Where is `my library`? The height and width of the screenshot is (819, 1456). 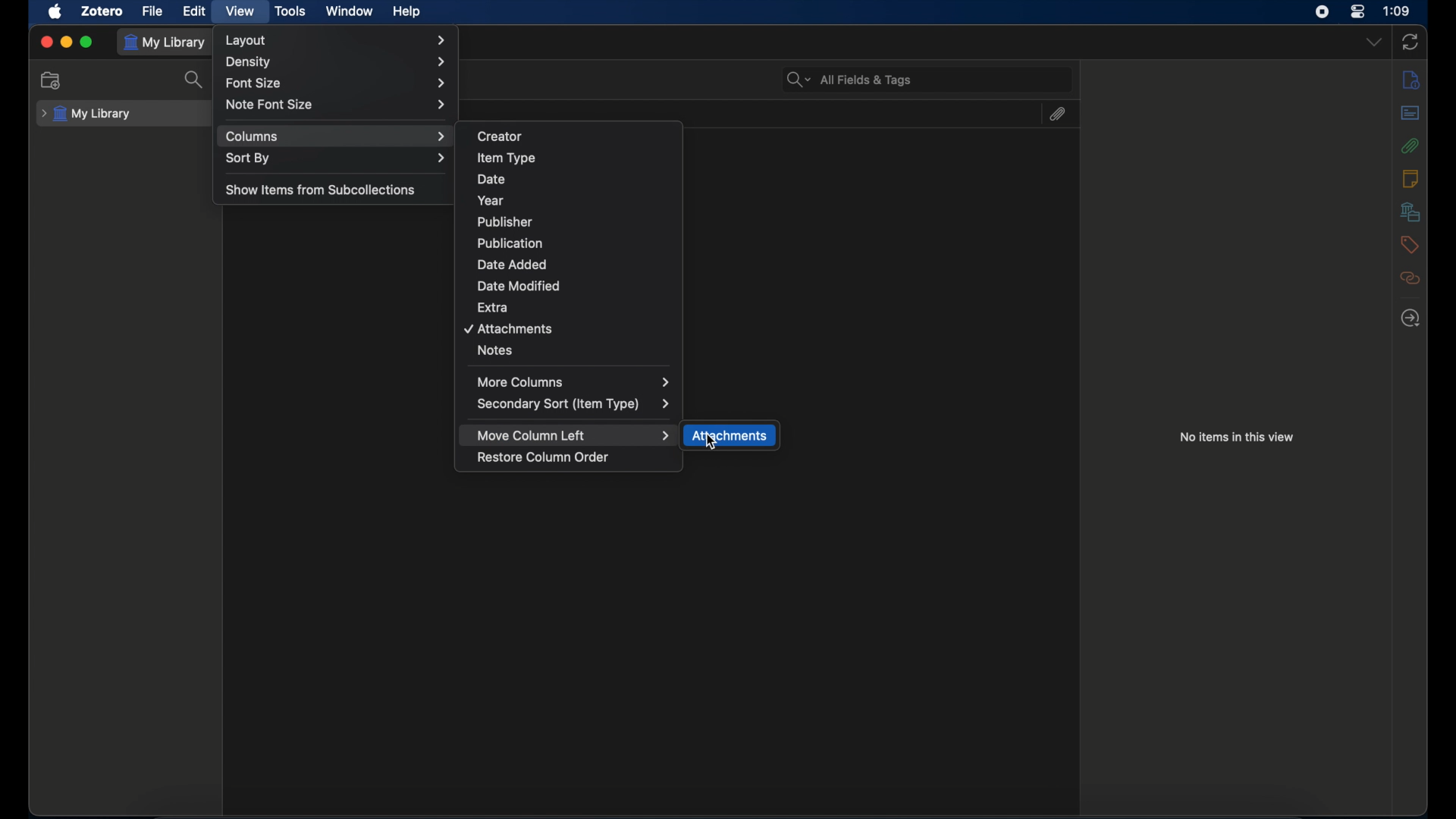
my library is located at coordinates (168, 42).